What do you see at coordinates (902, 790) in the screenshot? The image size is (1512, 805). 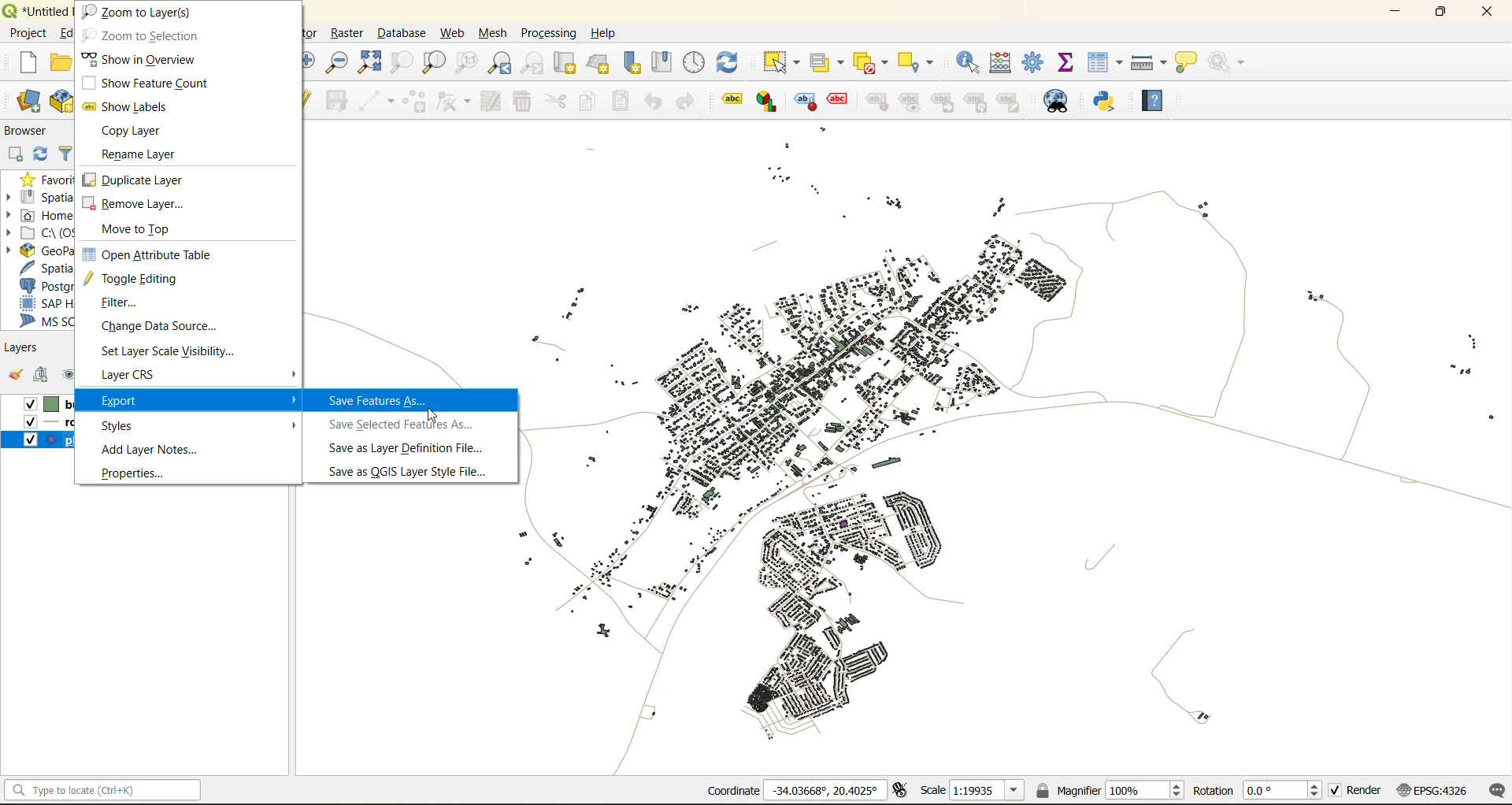 I see `toggle extents` at bounding box center [902, 790].